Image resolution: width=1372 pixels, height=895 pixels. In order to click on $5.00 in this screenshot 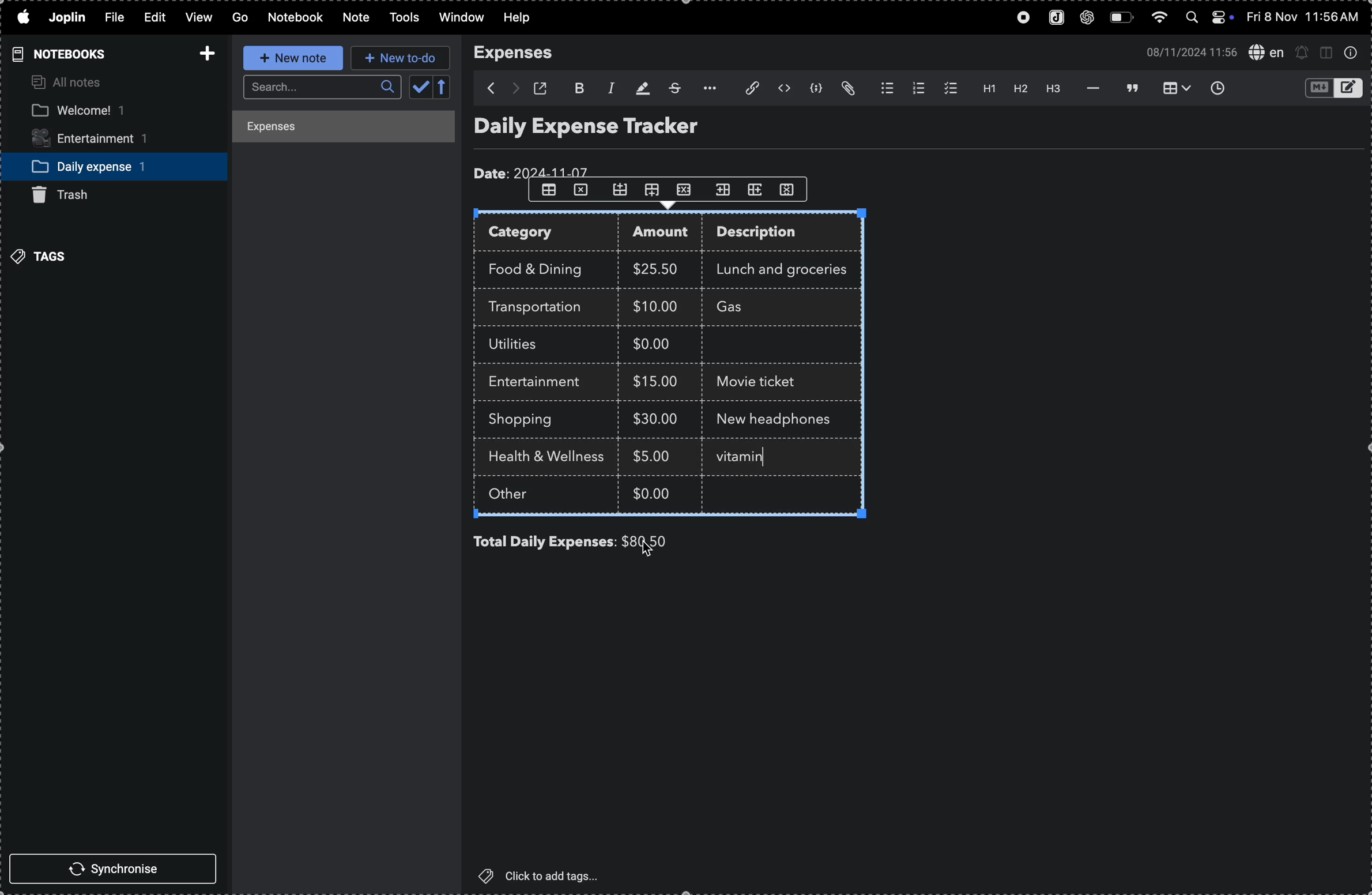, I will do `click(654, 456)`.